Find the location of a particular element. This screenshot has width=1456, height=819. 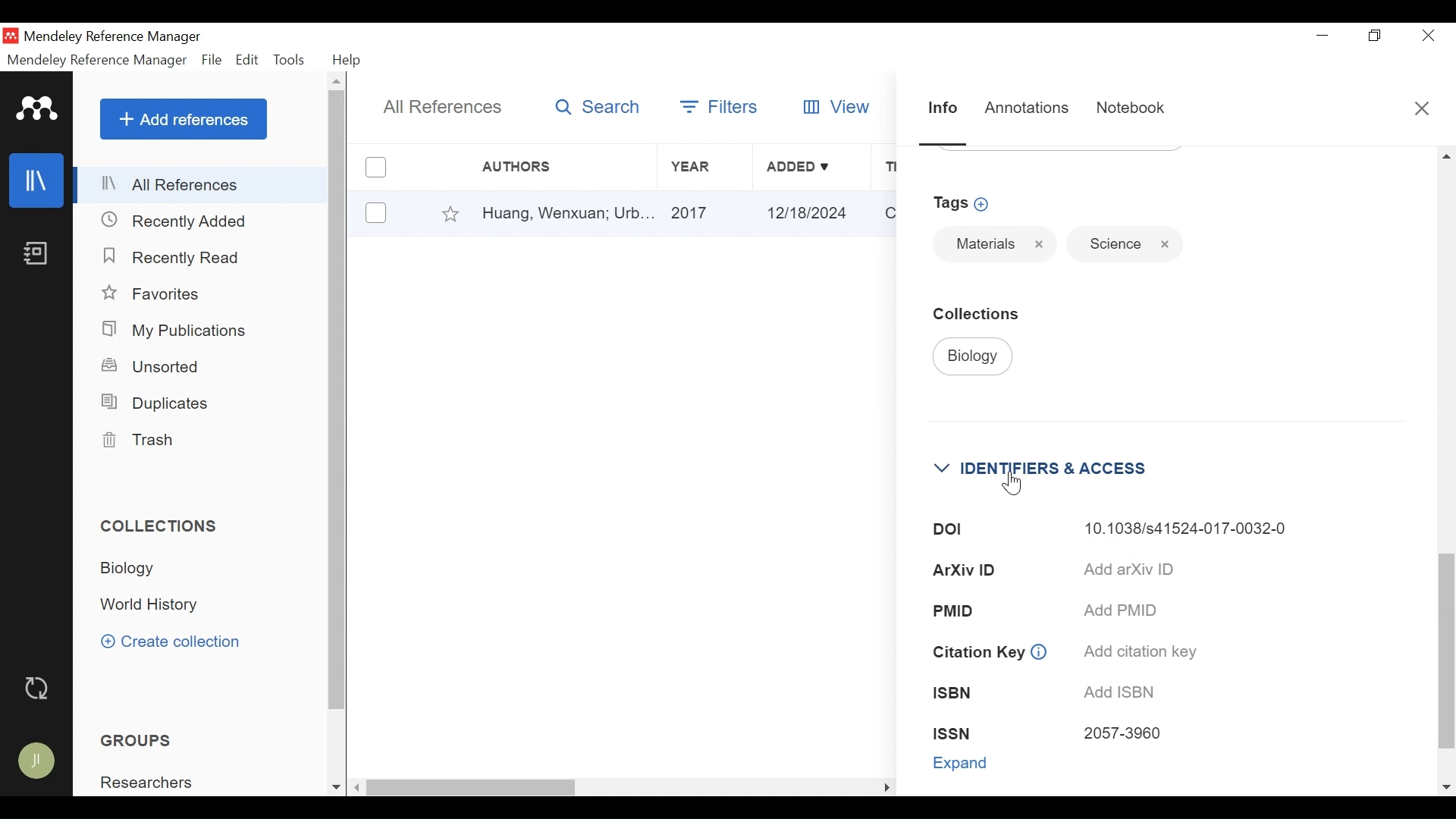

Mendeley Desktop Icon is located at coordinates (11, 36).